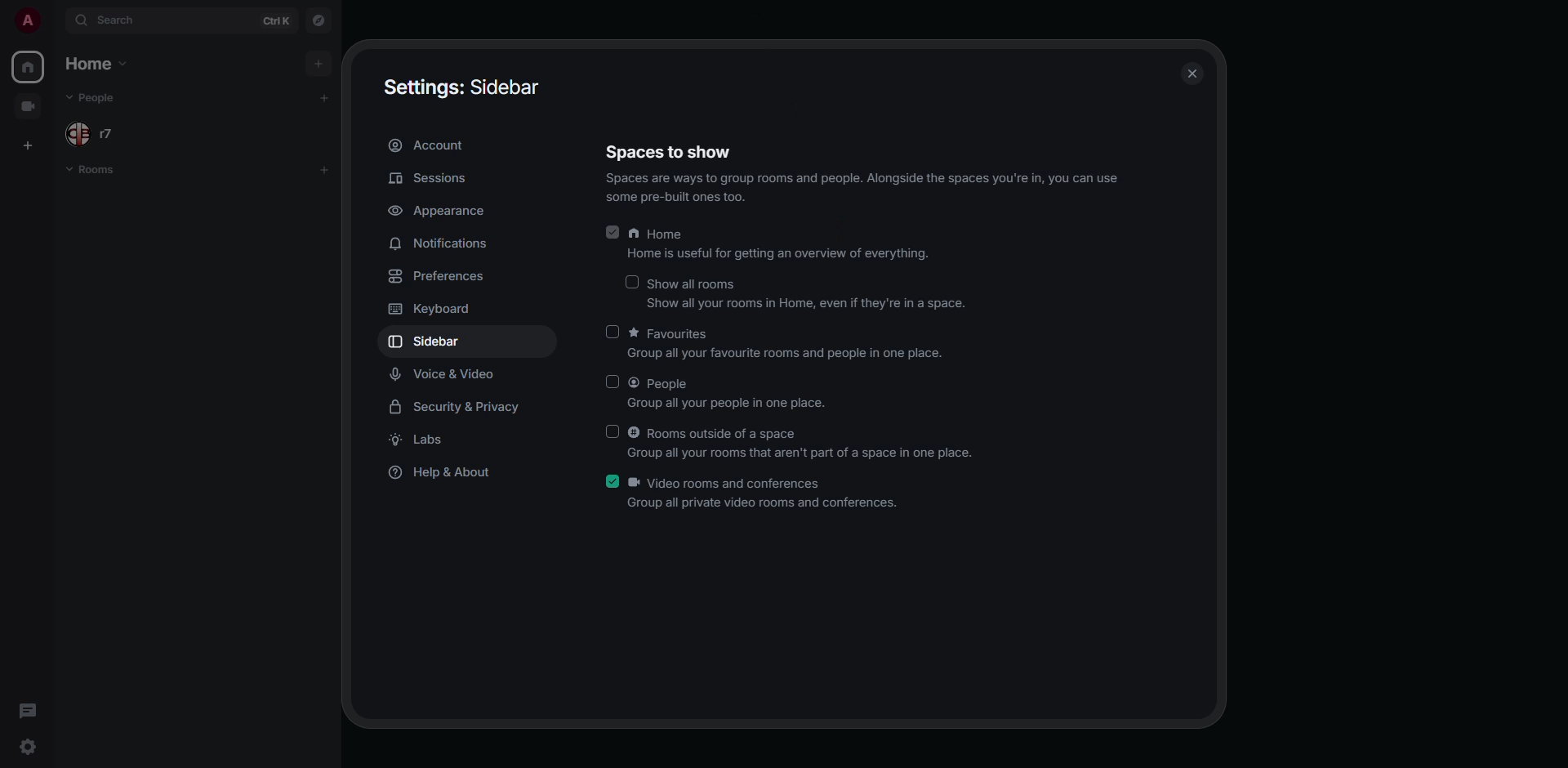 The image size is (1568, 768). Describe the element at coordinates (462, 409) in the screenshot. I see `security & privacy` at that location.